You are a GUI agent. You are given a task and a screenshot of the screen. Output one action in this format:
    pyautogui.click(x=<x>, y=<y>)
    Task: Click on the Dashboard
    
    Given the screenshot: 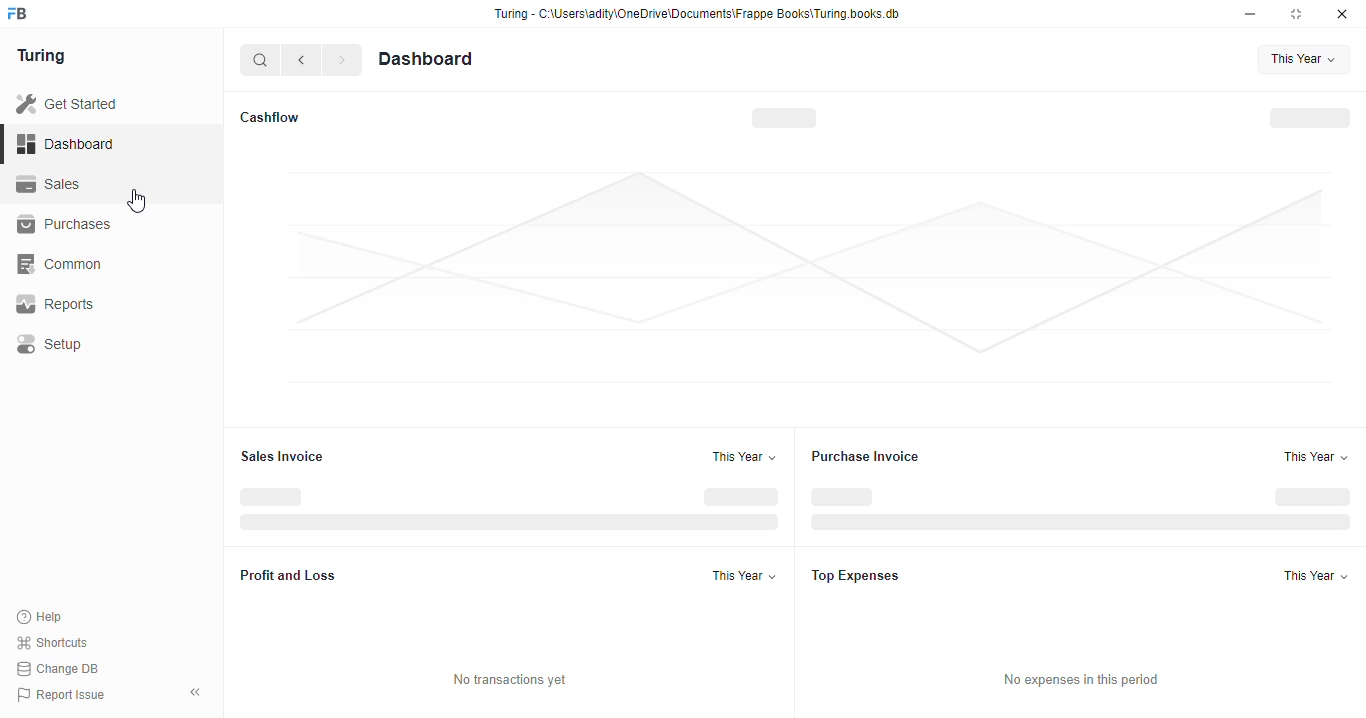 What is the action you would take?
    pyautogui.click(x=429, y=60)
    